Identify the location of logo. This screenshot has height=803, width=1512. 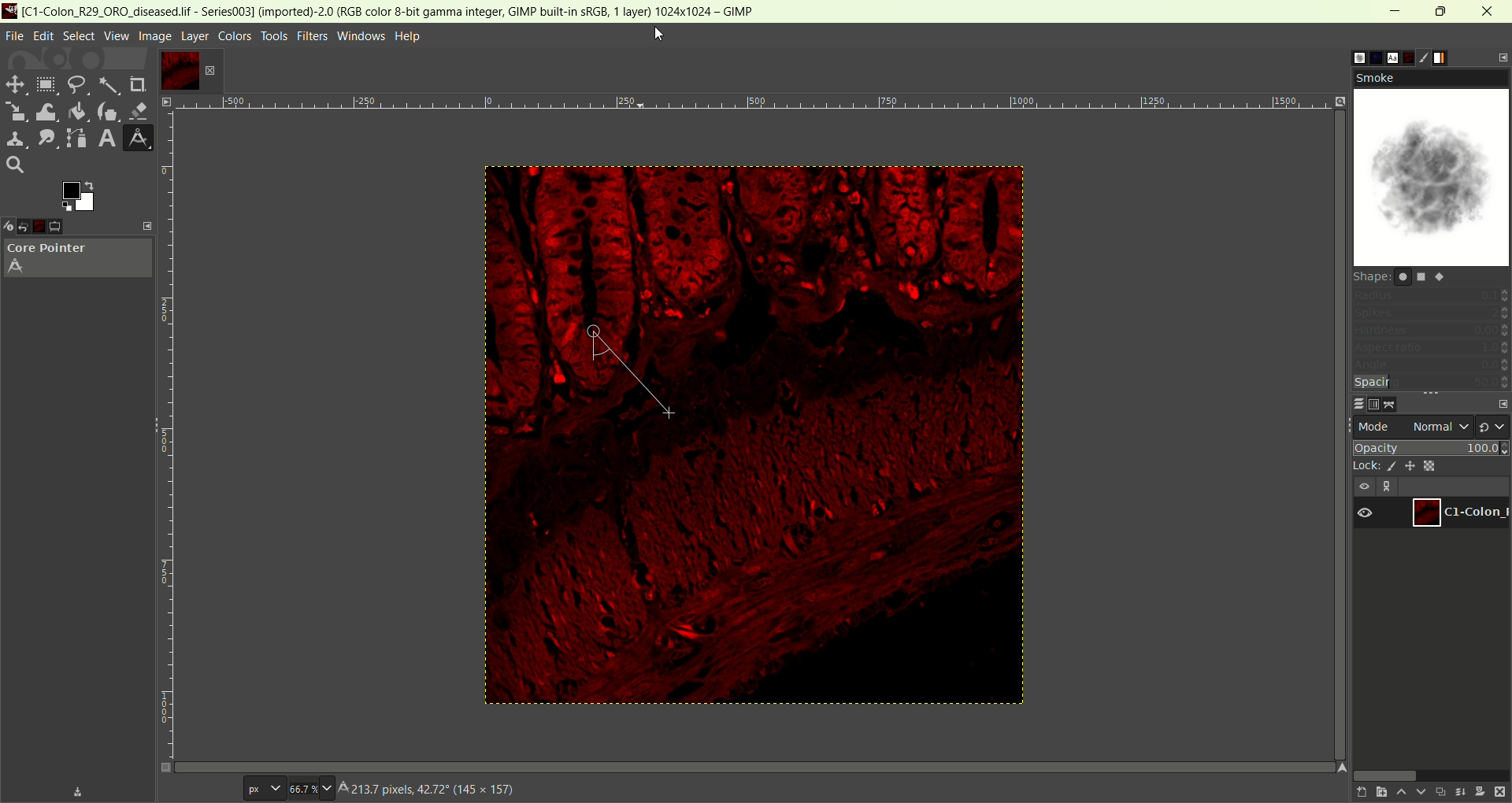
(10, 10).